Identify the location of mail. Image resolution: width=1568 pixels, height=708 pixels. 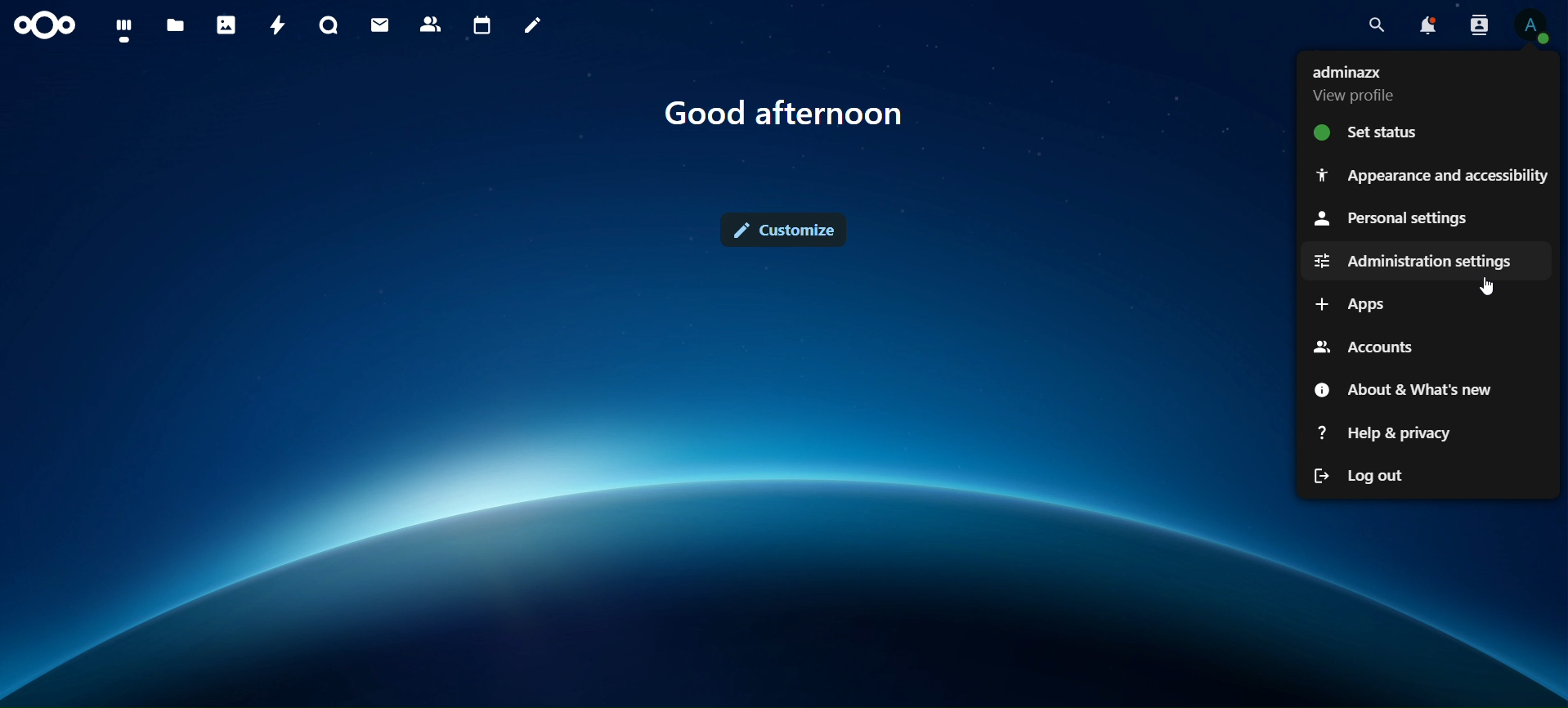
(380, 25).